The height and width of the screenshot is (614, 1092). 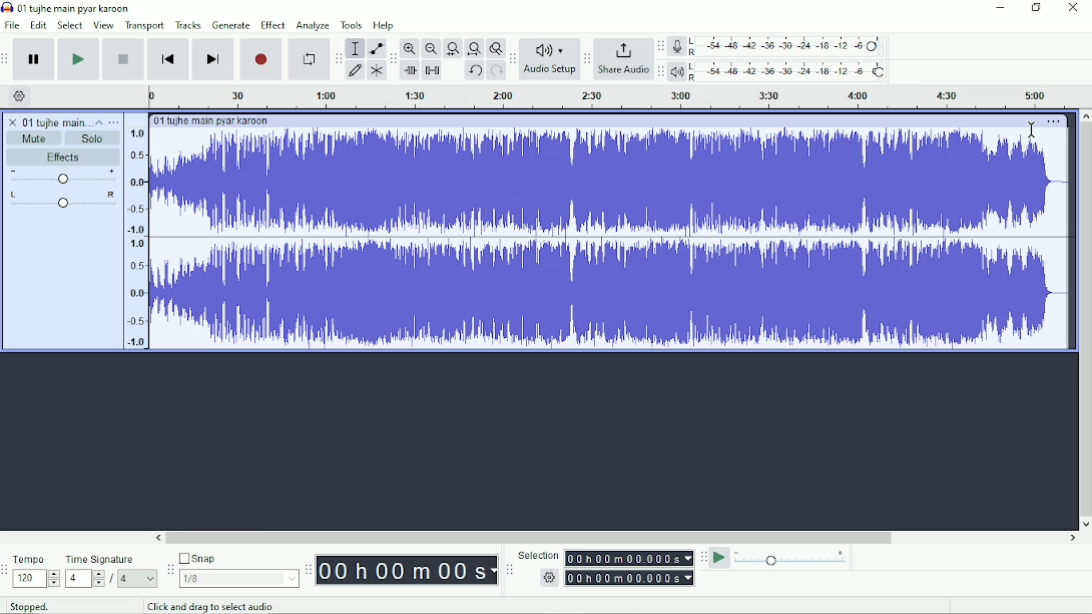 I want to click on Stop, so click(x=122, y=59).